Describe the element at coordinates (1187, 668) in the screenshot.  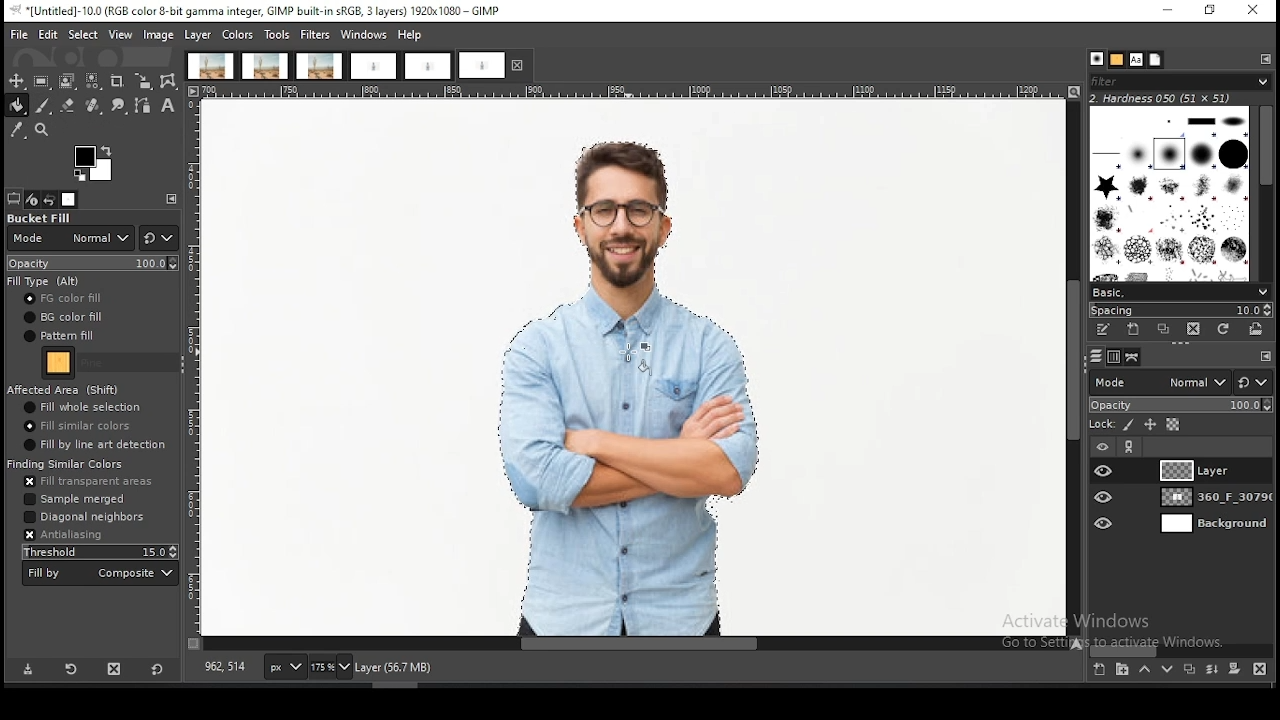
I see `duplicate layer` at that location.